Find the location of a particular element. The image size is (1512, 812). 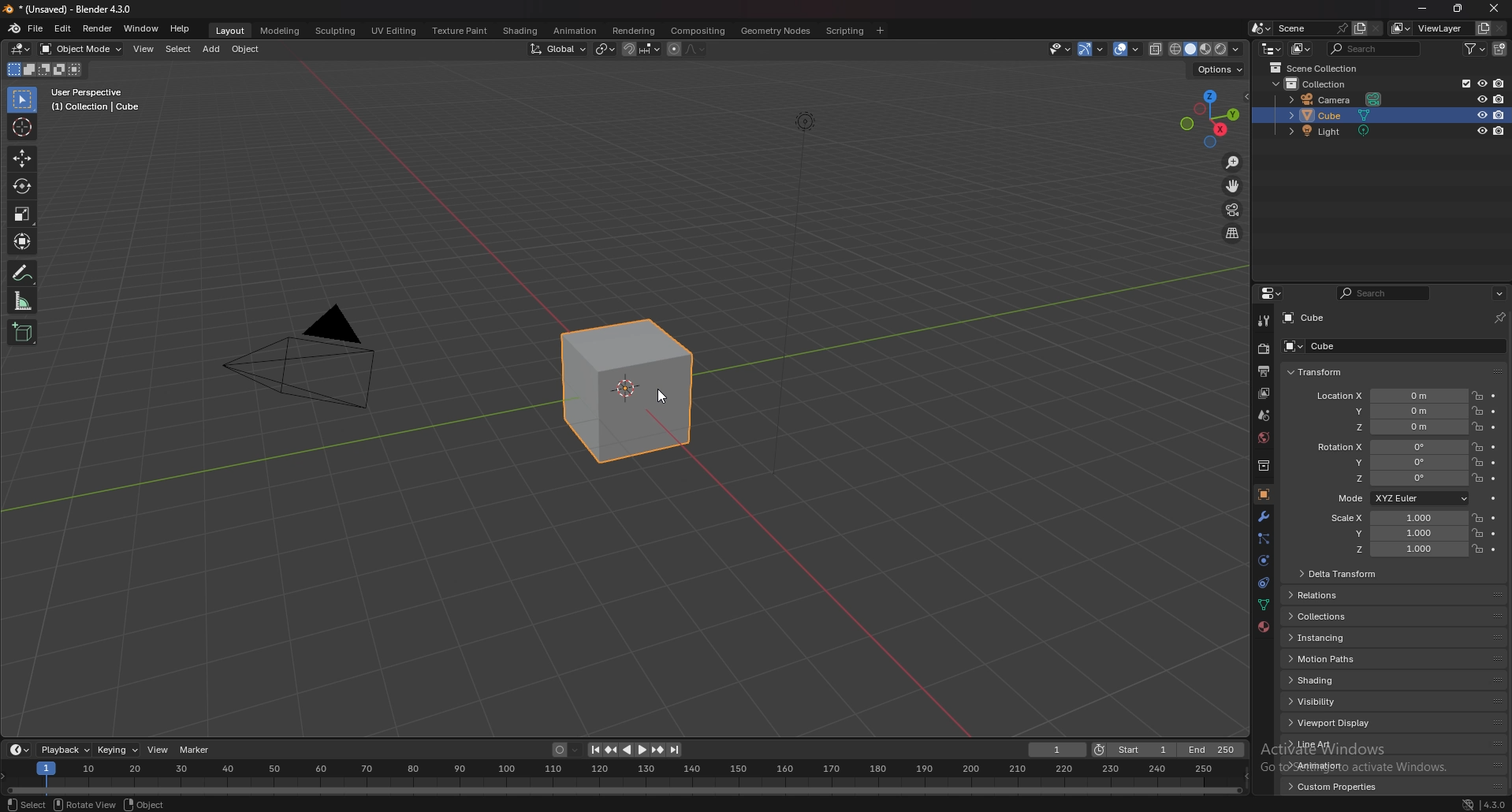

rotate view is located at coordinates (87, 804).